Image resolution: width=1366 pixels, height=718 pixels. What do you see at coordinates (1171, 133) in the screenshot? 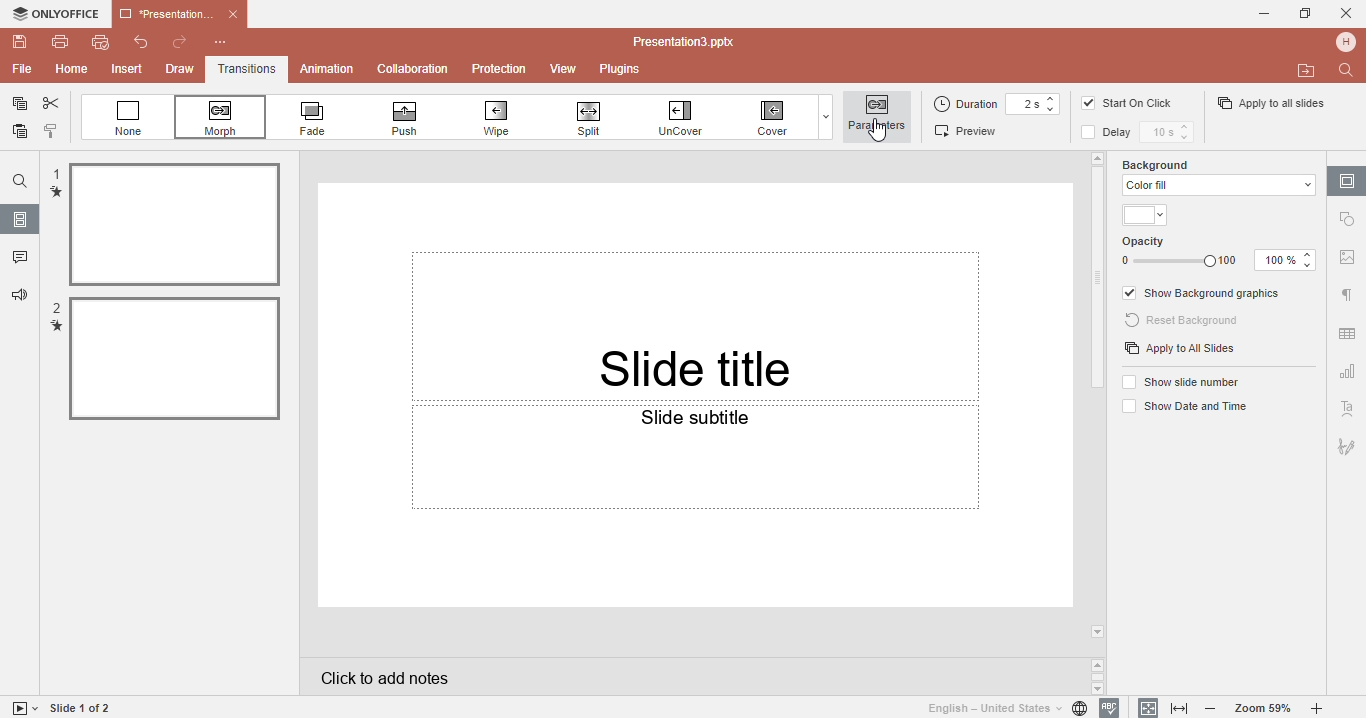
I see `Delay time setting` at bounding box center [1171, 133].